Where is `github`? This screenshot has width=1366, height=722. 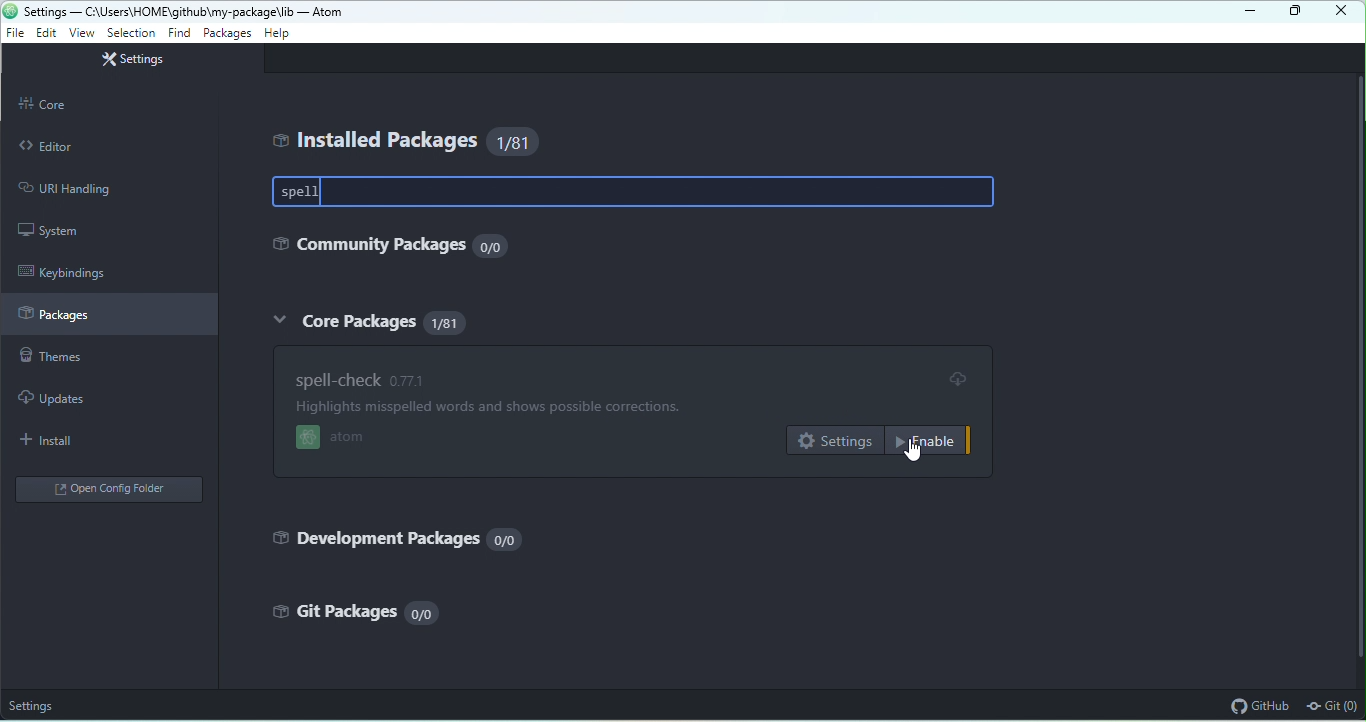
github is located at coordinates (1260, 705).